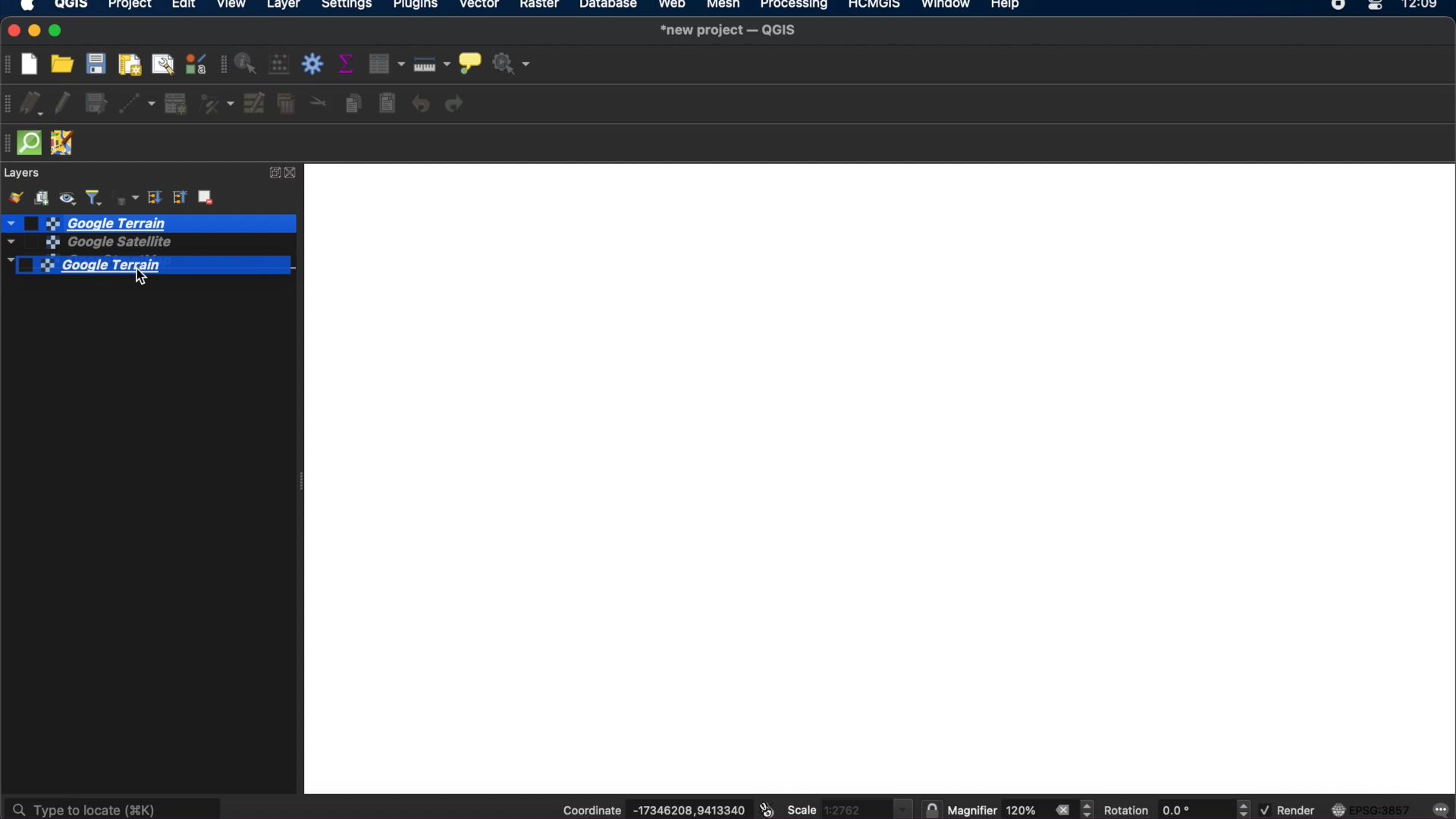  What do you see at coordinates (64, 144) in the screenshot?
I see `JOSM remote` at bounding box center [64, 144].